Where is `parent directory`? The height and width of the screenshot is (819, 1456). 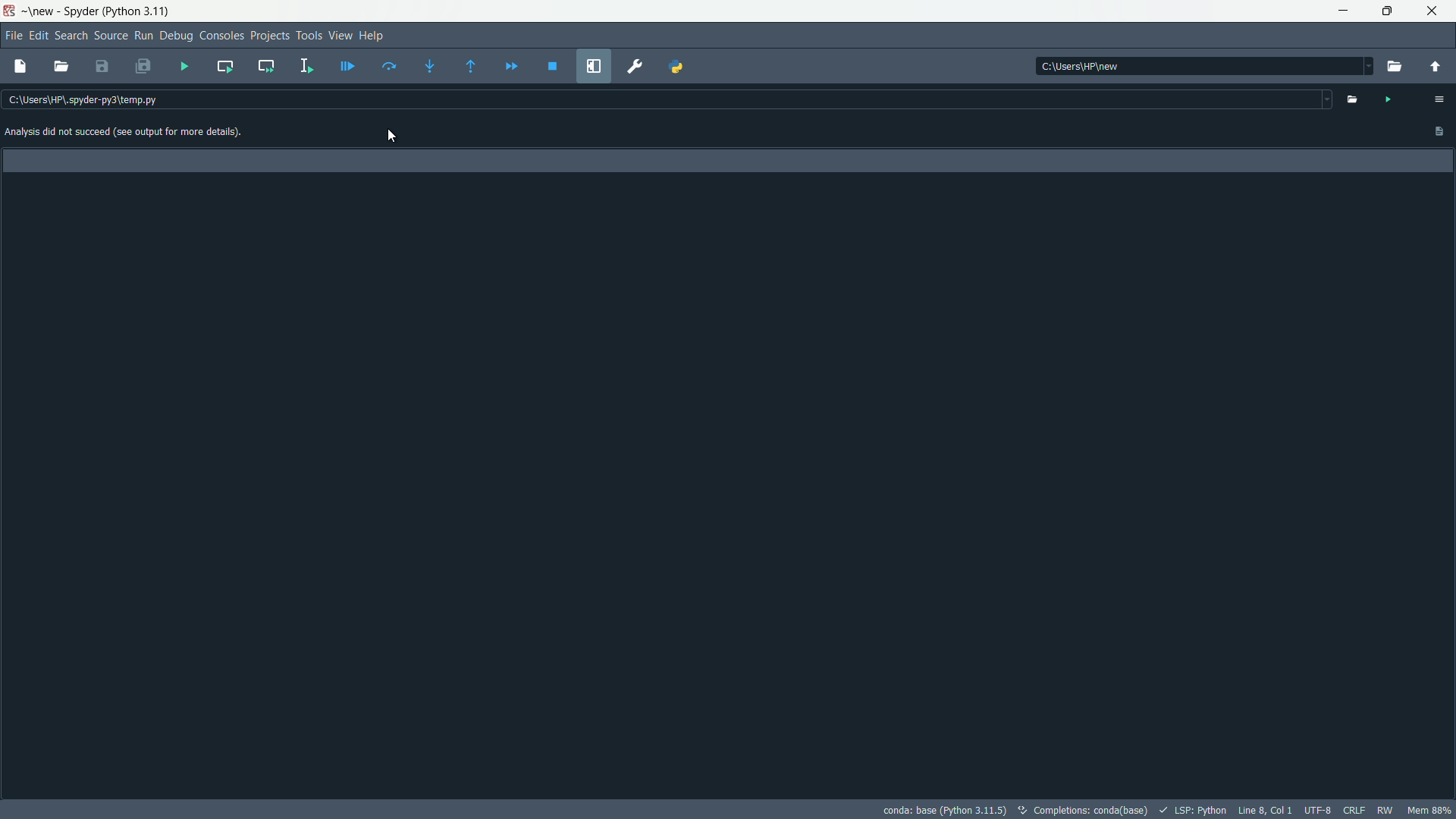
parent directory is located at coordinates (1441, 67).